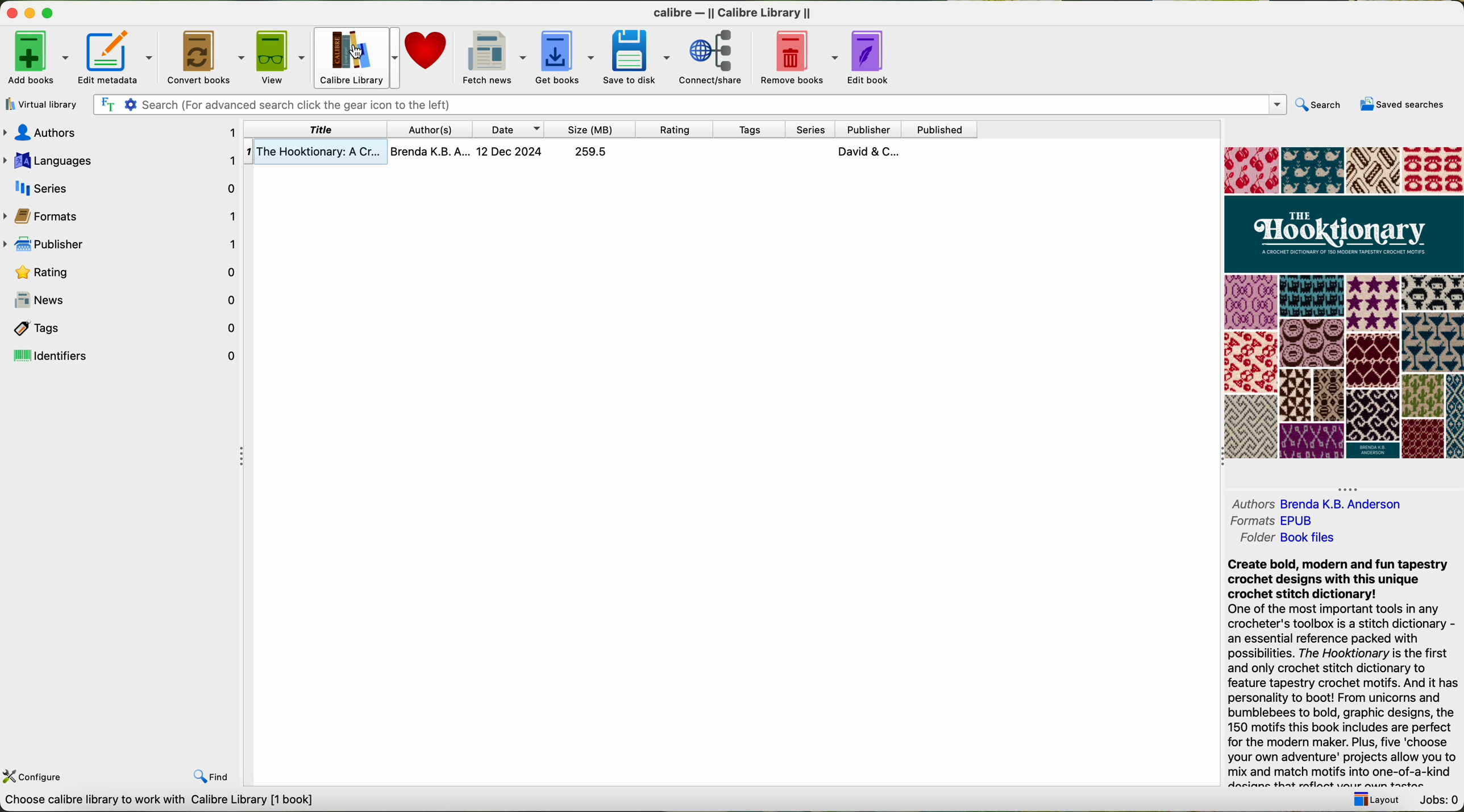  I want to click on languages, so click(121, 159).